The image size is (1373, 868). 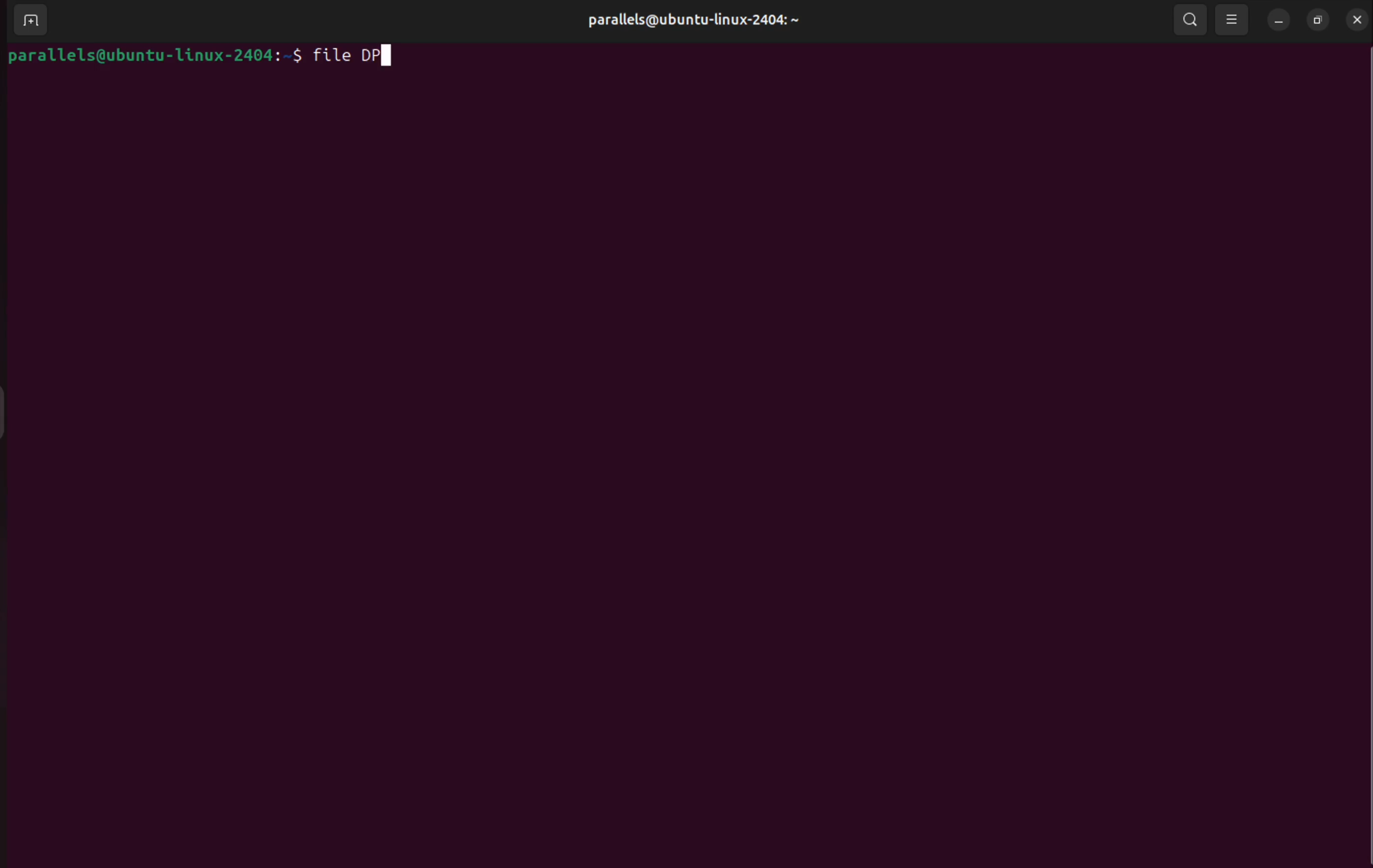 What do you see at coordinates (1186, 19) in the screenshot?
I see `search` at bounding box center [1186, 19].